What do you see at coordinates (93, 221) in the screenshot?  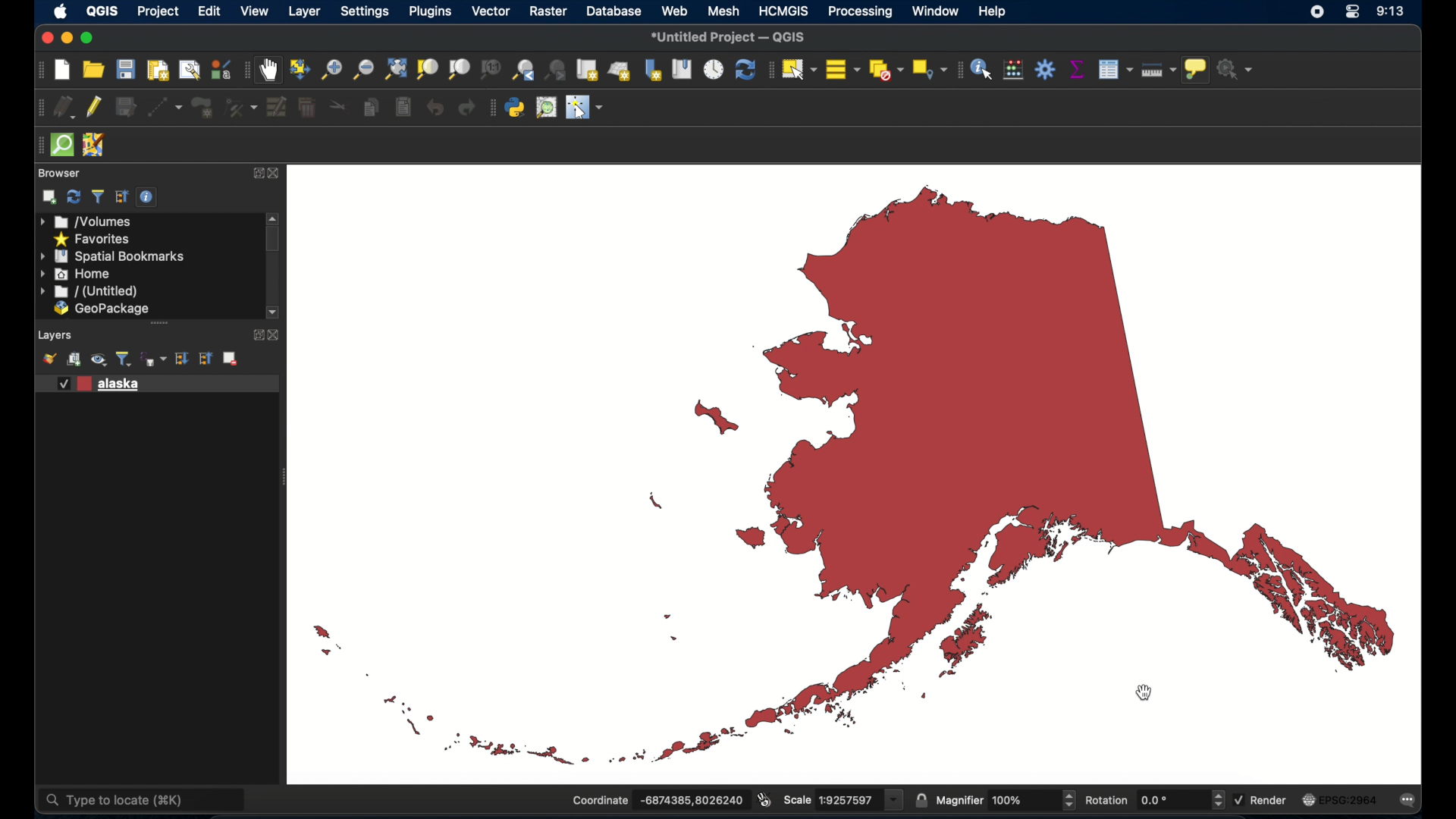 I see `volumes` at bounding box center [93, 221].